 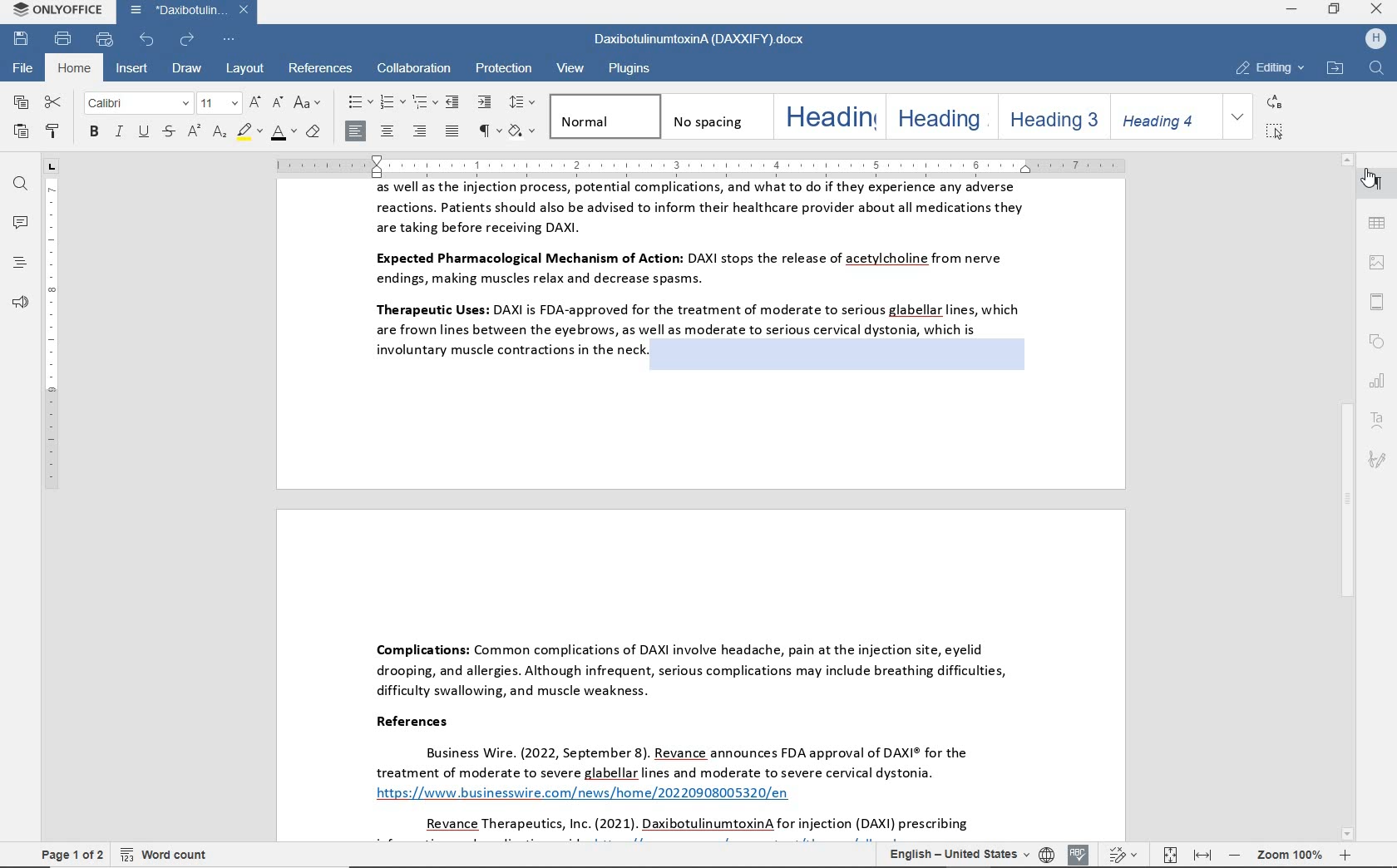 I want to click on image, so click(x=1377, y=264).